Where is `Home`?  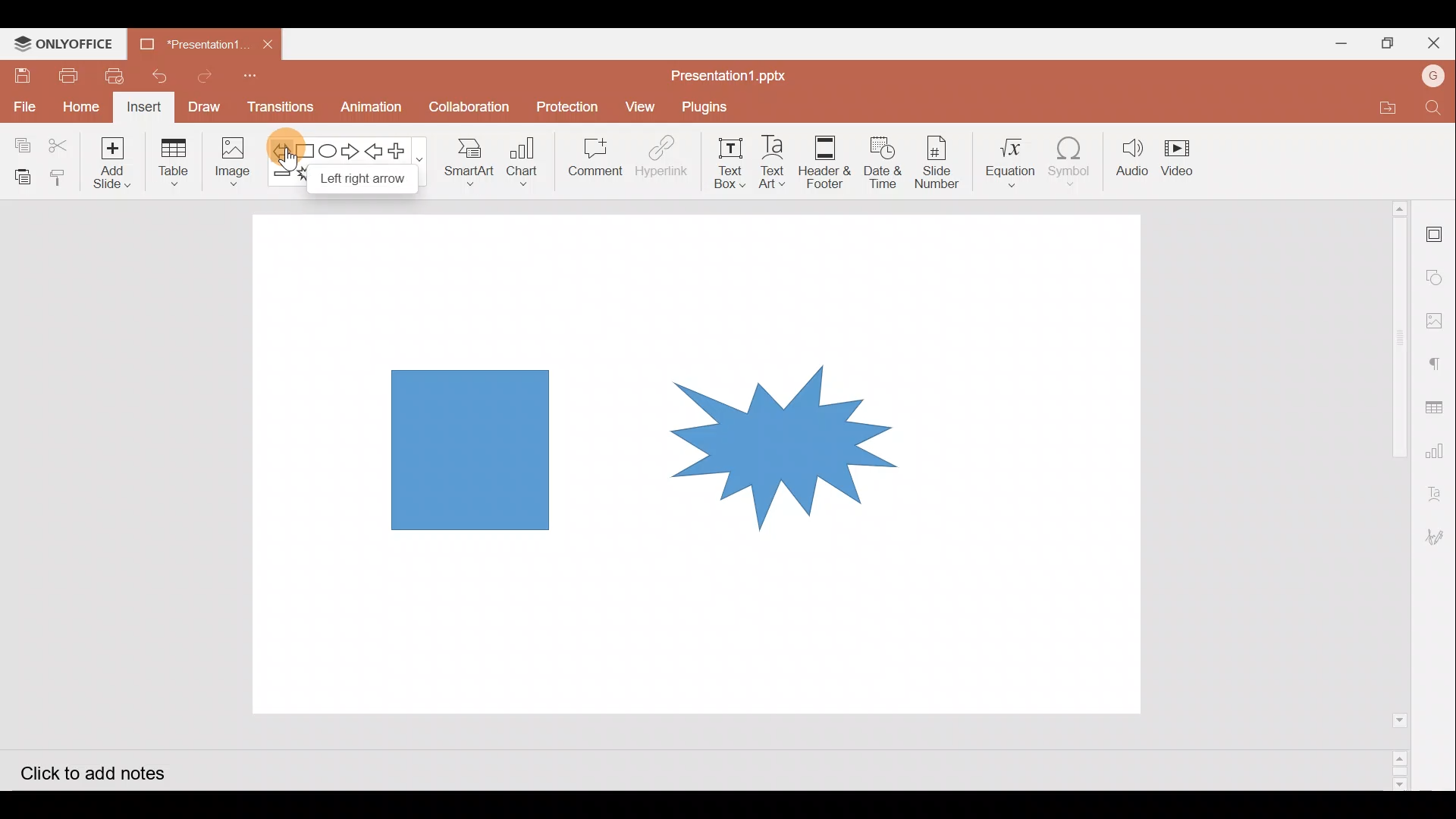
Home is located at coordinates (80, 108).